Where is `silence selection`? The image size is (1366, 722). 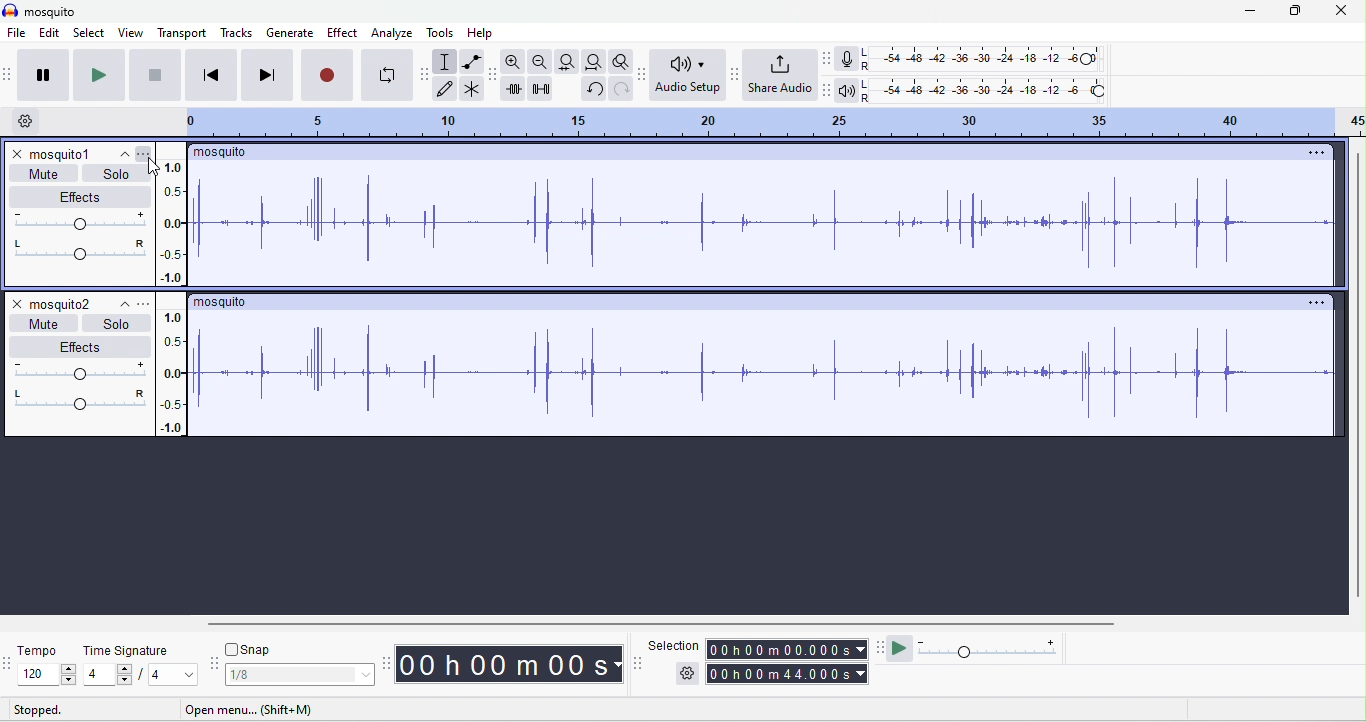
silence selection is located at coordinates (542, 88).